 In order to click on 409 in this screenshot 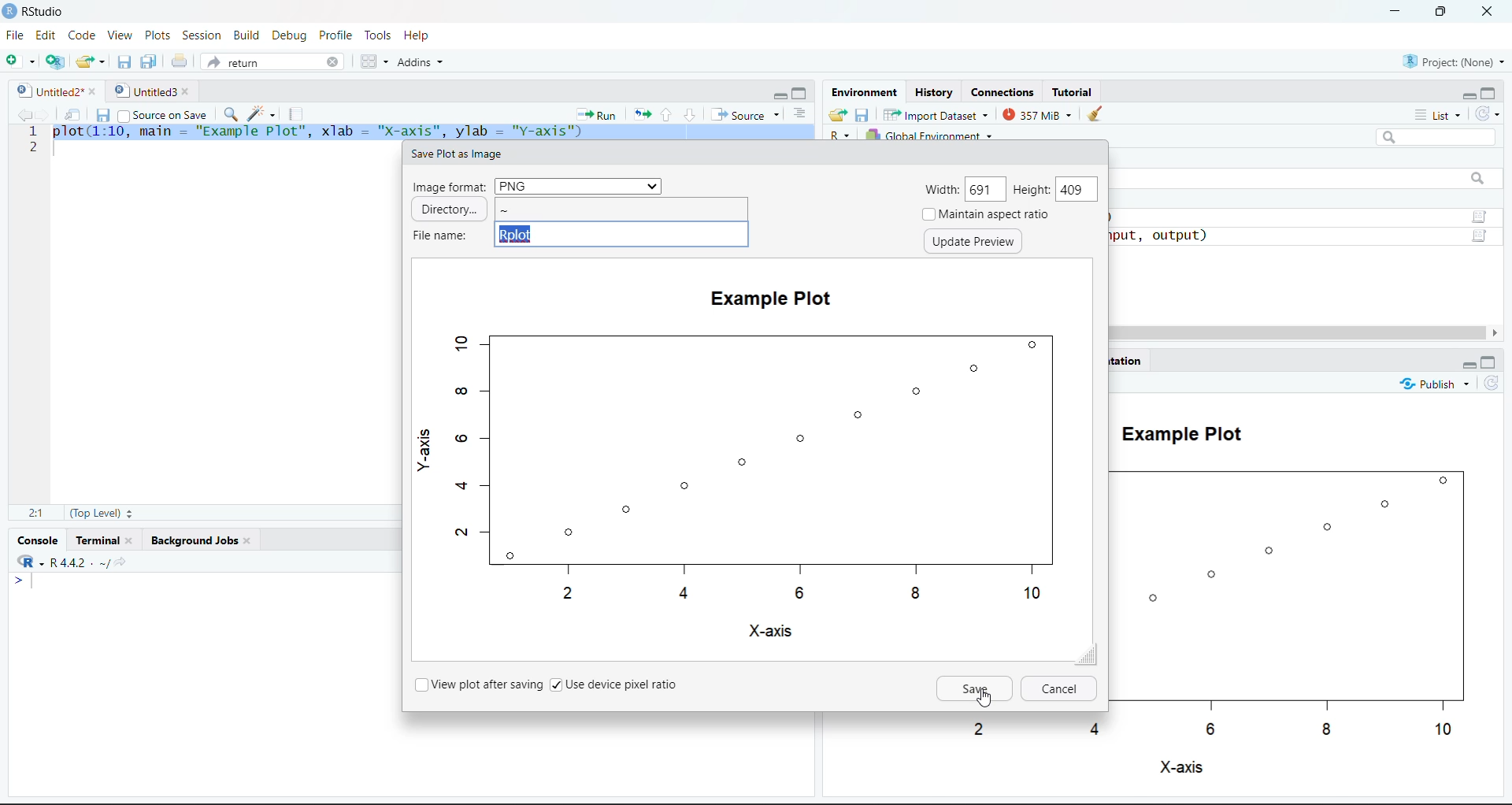, I will do `click(1077, 191)`.